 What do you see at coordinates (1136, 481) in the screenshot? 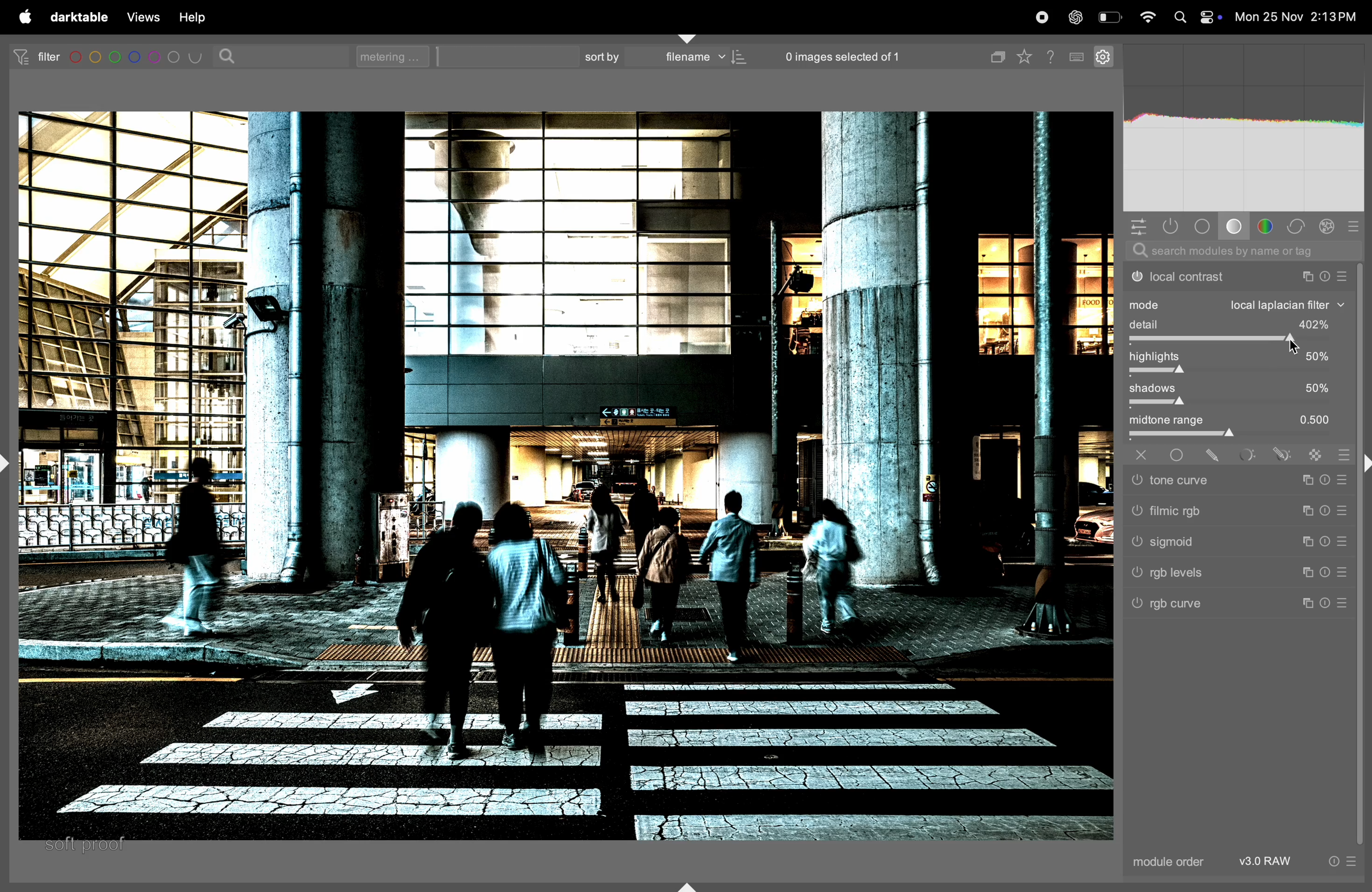
I see `tone curve switched off` at bounding box center [1136, 481].